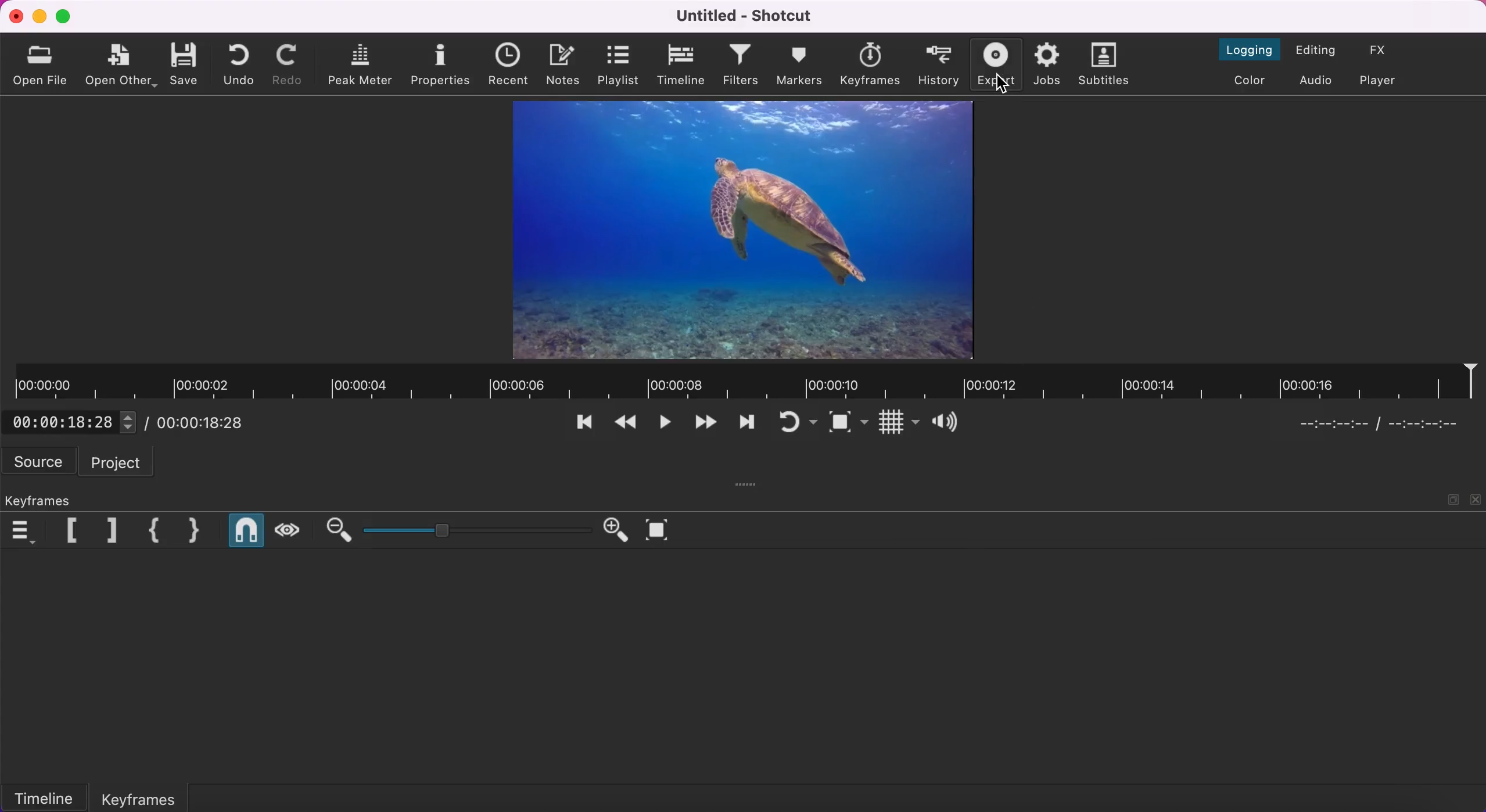 Image resolution: width=1486 pixels, height=812 pixels. Describe the element at coordinates (940, 63) in the screenshot. I see `history` at that location.